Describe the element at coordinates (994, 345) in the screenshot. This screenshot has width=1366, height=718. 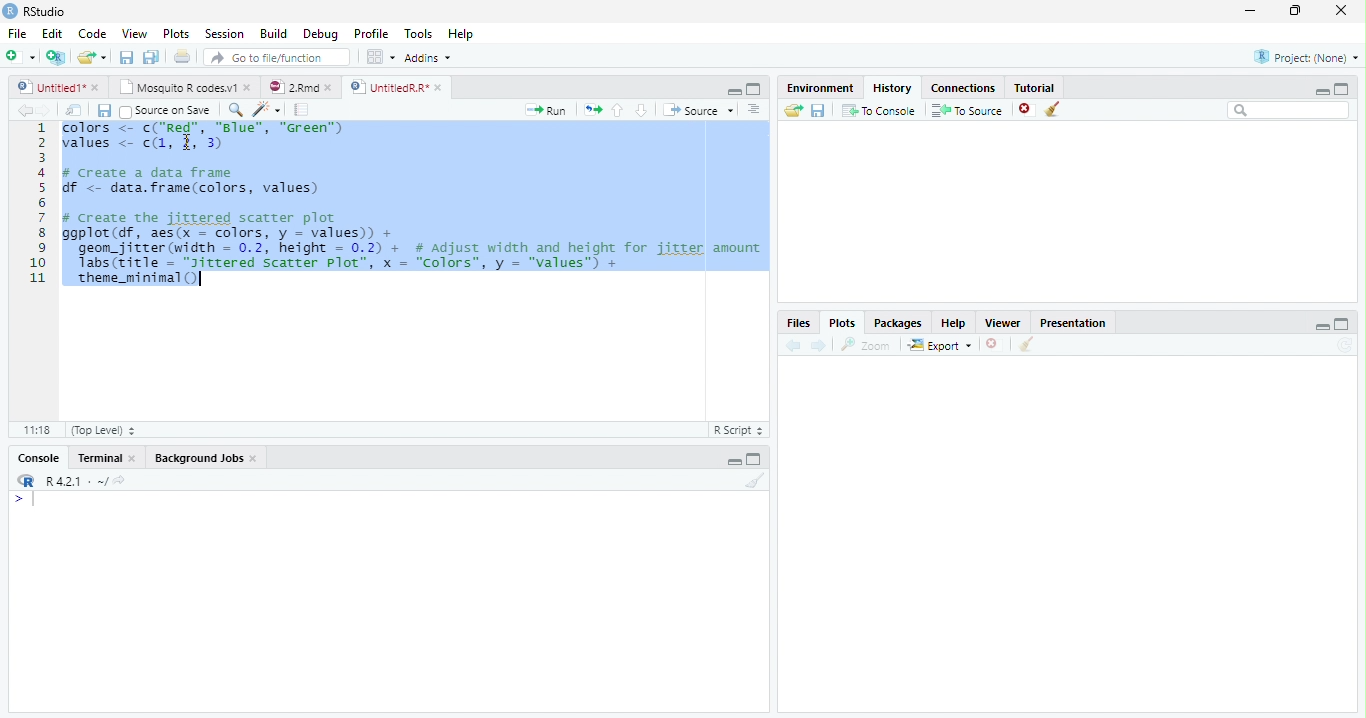
I see `Remove current plot` at that location.